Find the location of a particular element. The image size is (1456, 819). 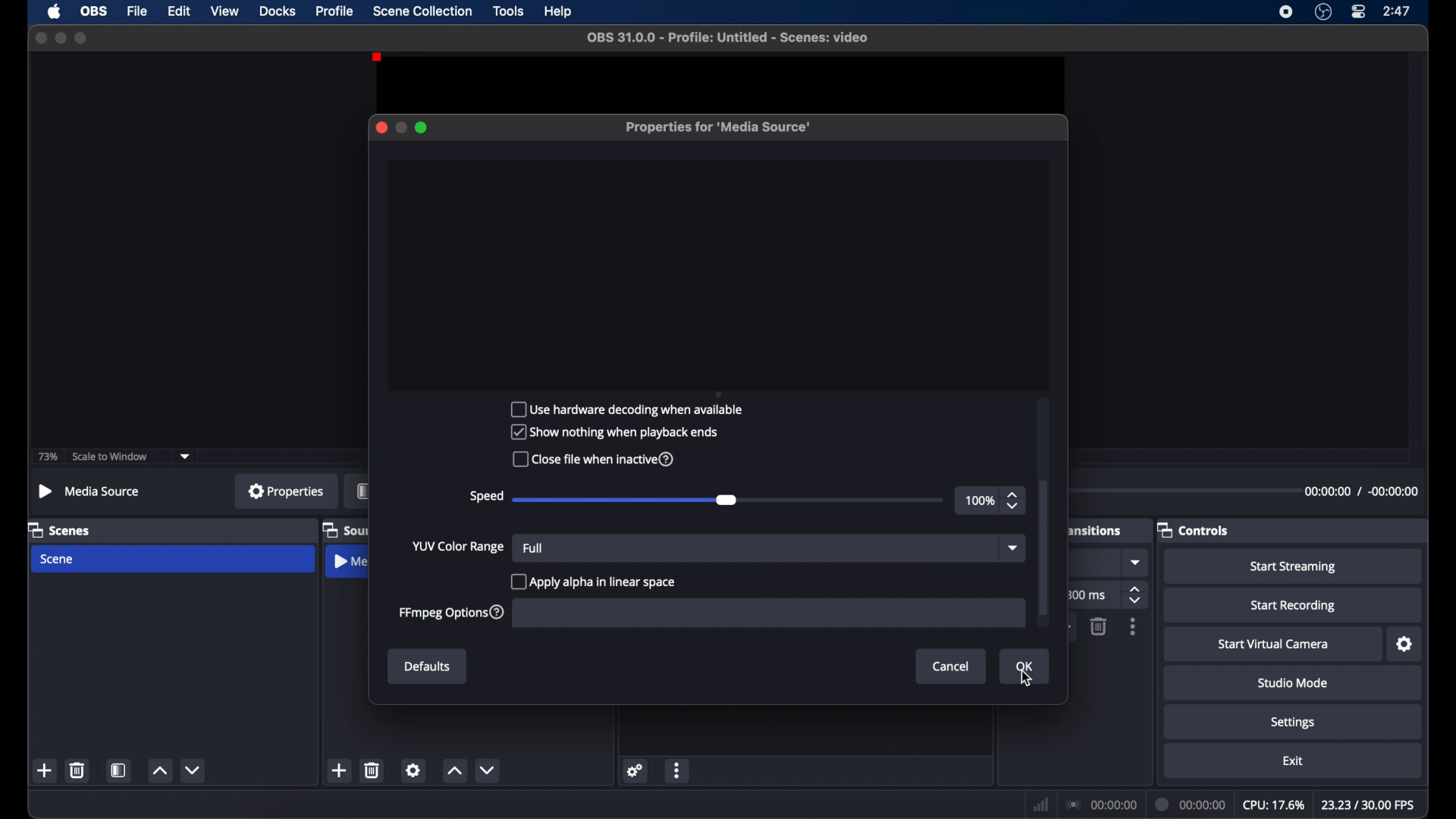

docks is located at coordinates (278, 11).